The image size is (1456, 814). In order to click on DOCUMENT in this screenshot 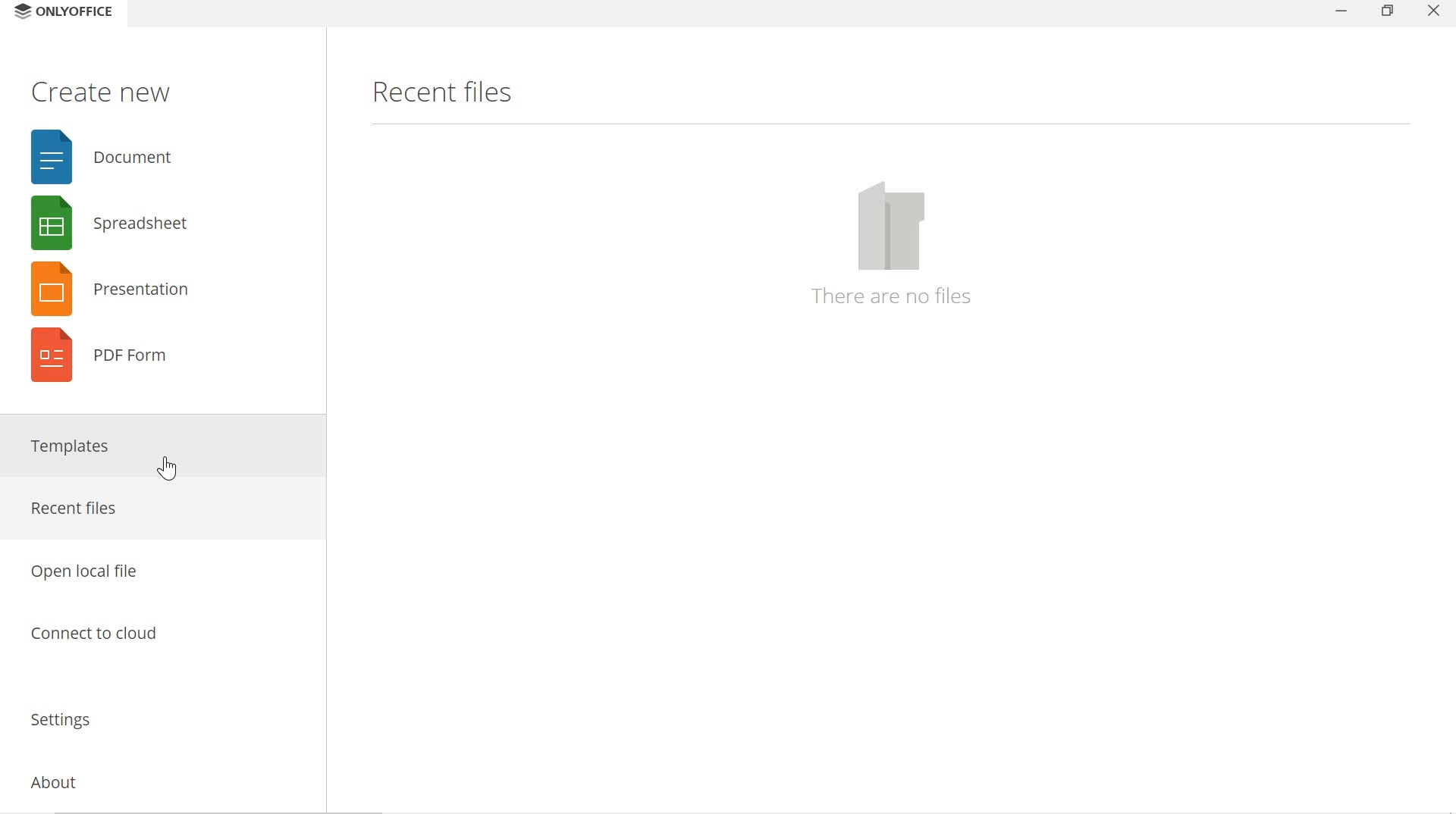, I will do `click(106, 158)`.